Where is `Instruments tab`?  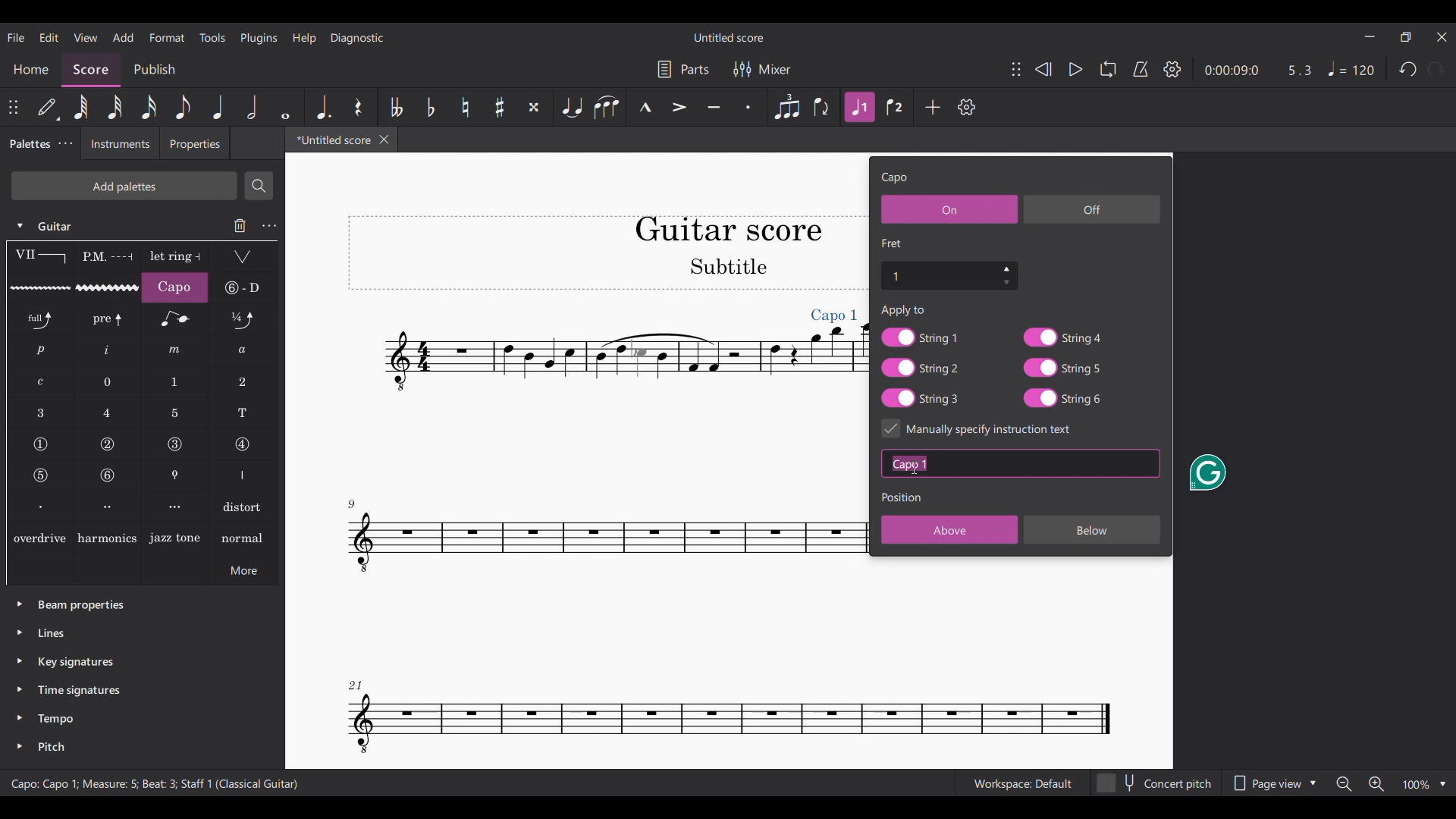 Instruments tab is located at coordinates (120, 143).